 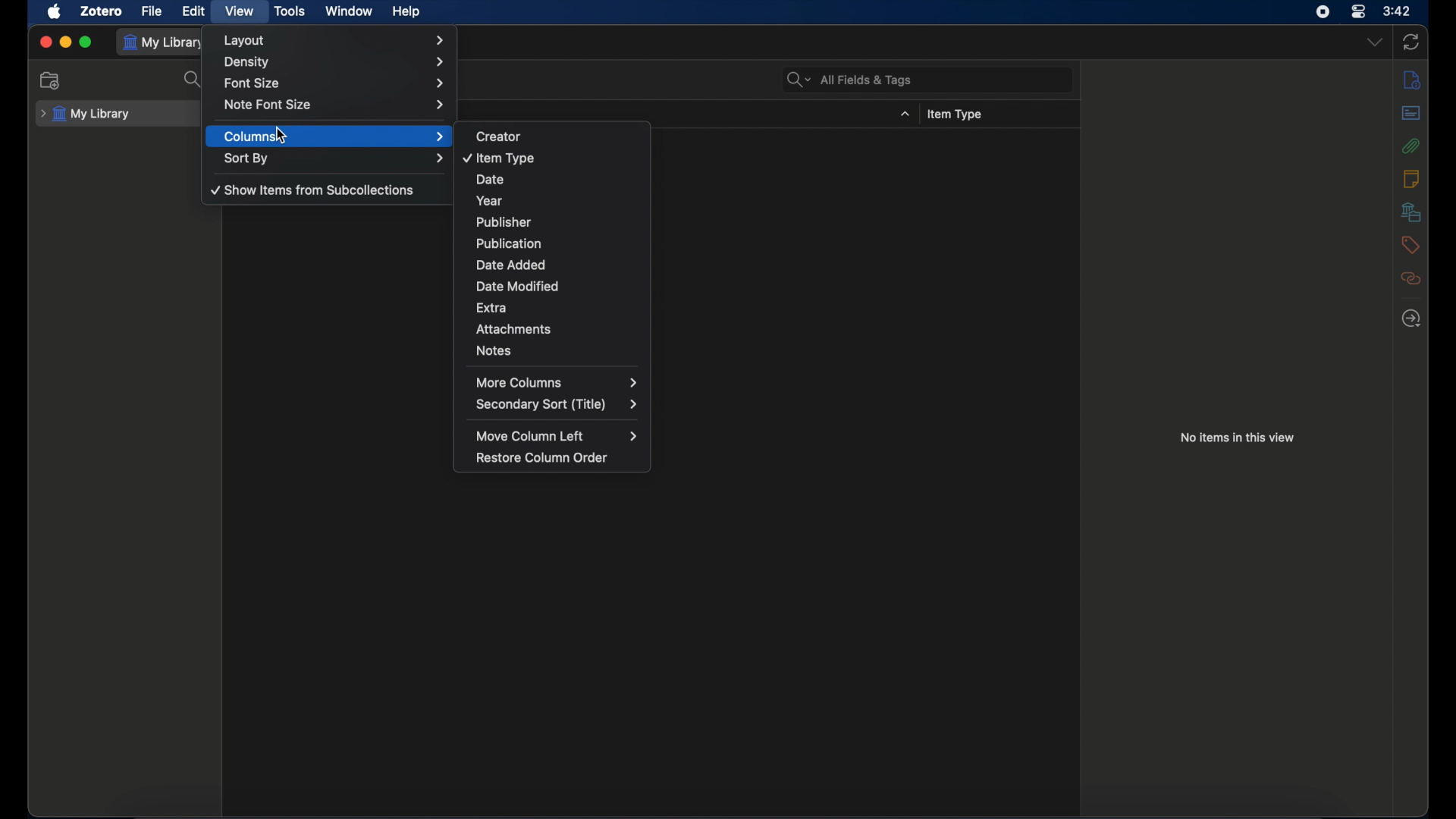 I want to click on view, so click(x=240, y=11).